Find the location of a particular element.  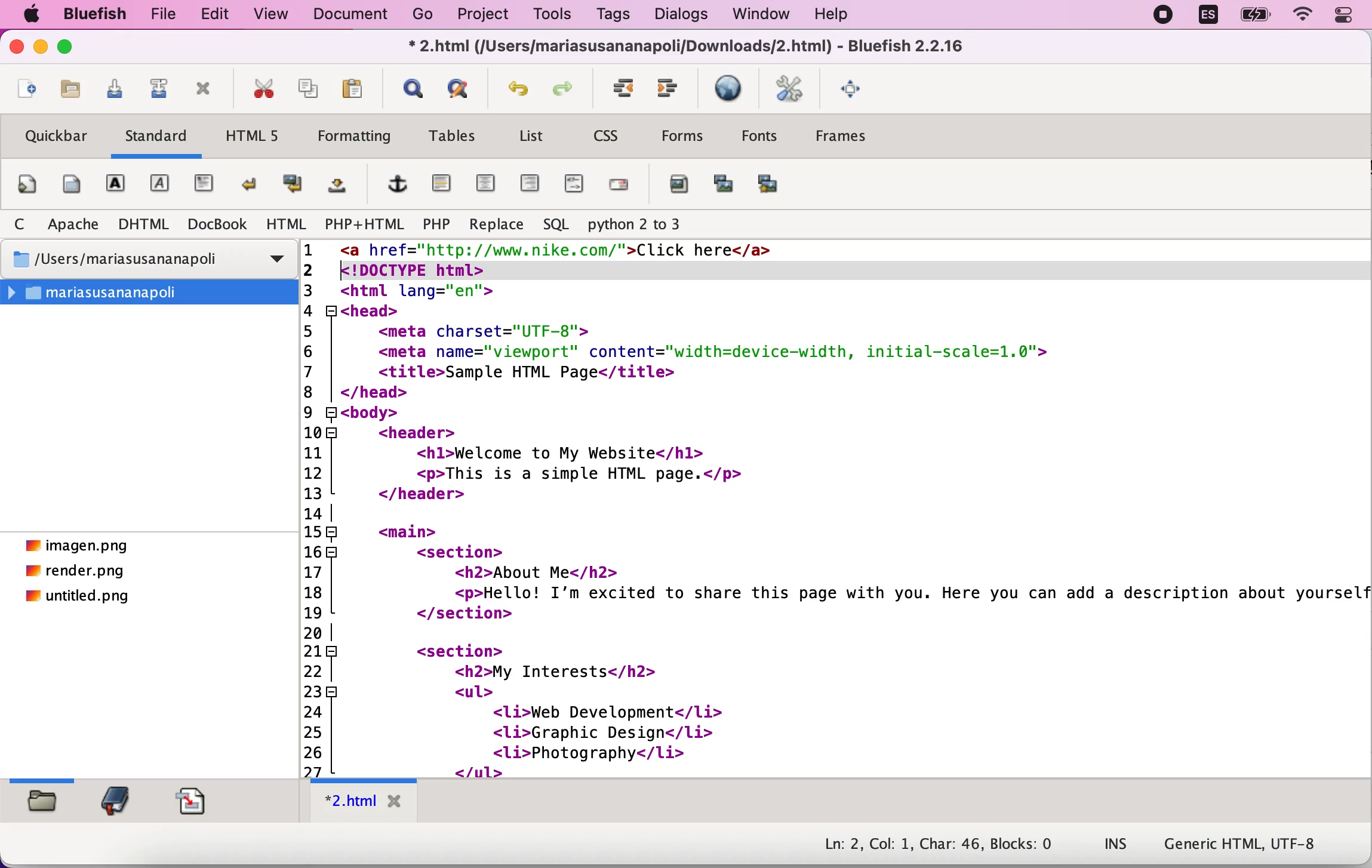

render.png is located at coordinates (77, 572).